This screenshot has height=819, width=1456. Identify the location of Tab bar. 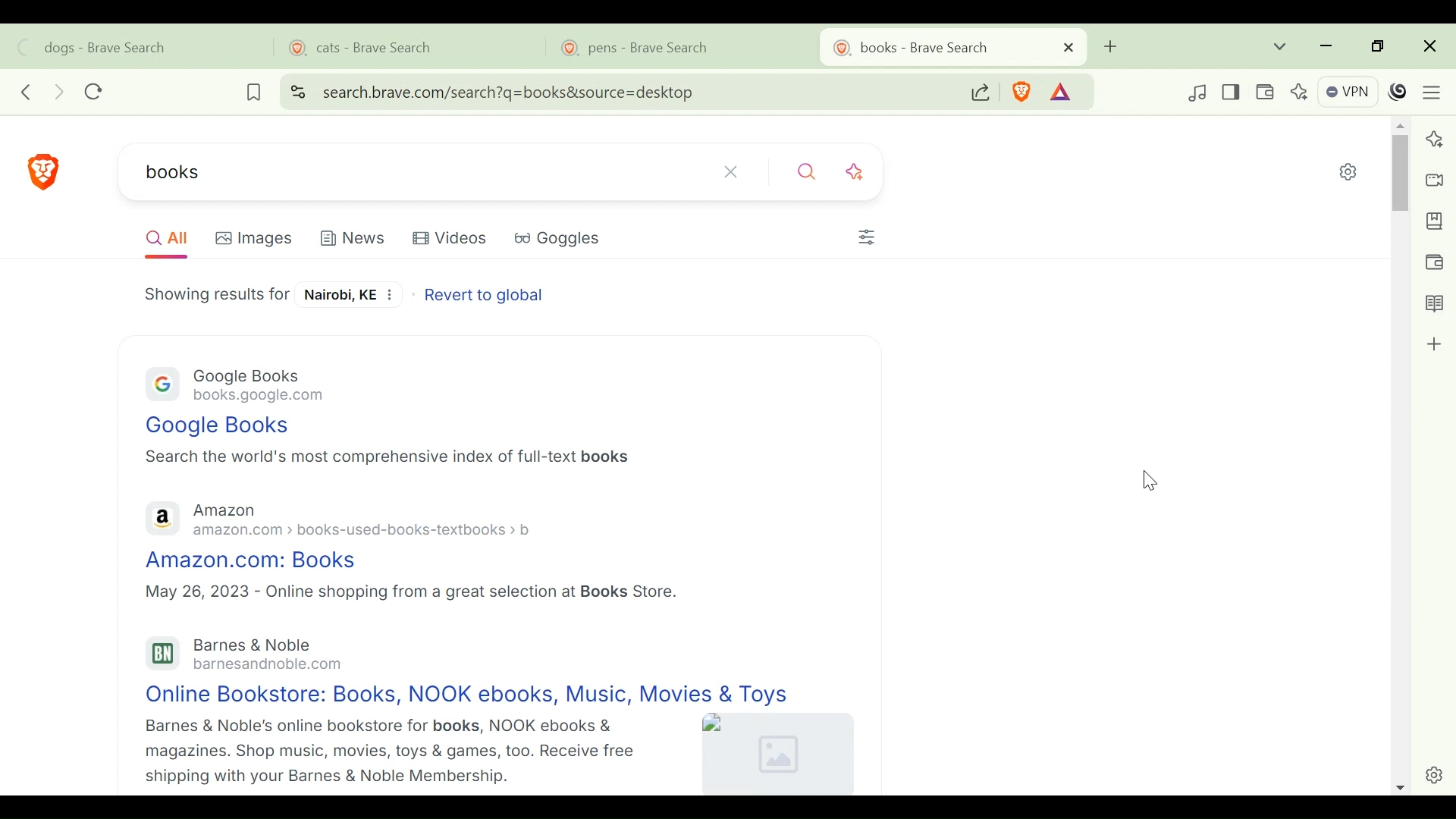
(958, 48).